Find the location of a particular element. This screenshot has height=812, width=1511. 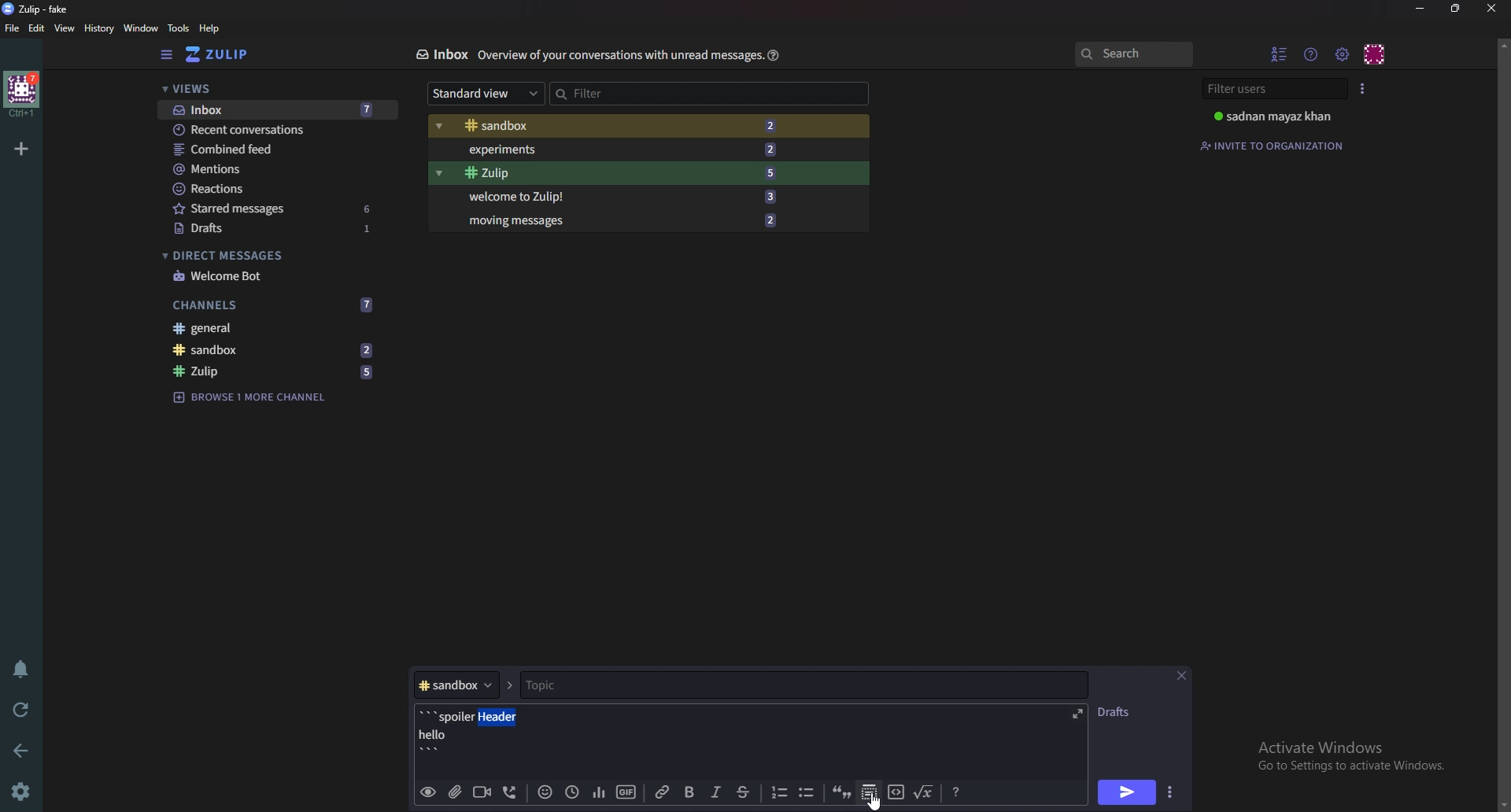

Sandbox is located at coordinates (612, 125).